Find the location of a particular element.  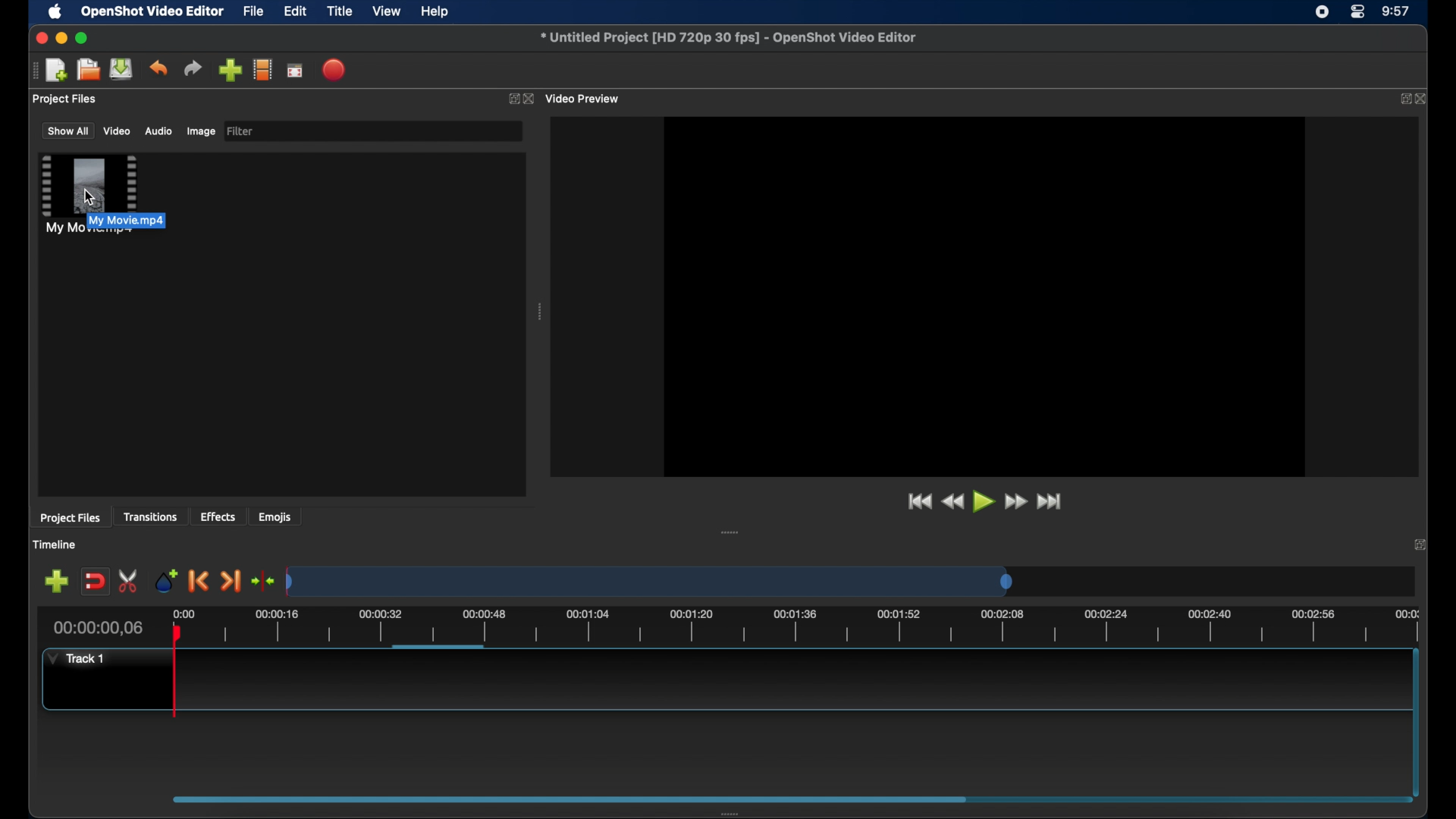

0.00 is located at coordinates (184, 613).